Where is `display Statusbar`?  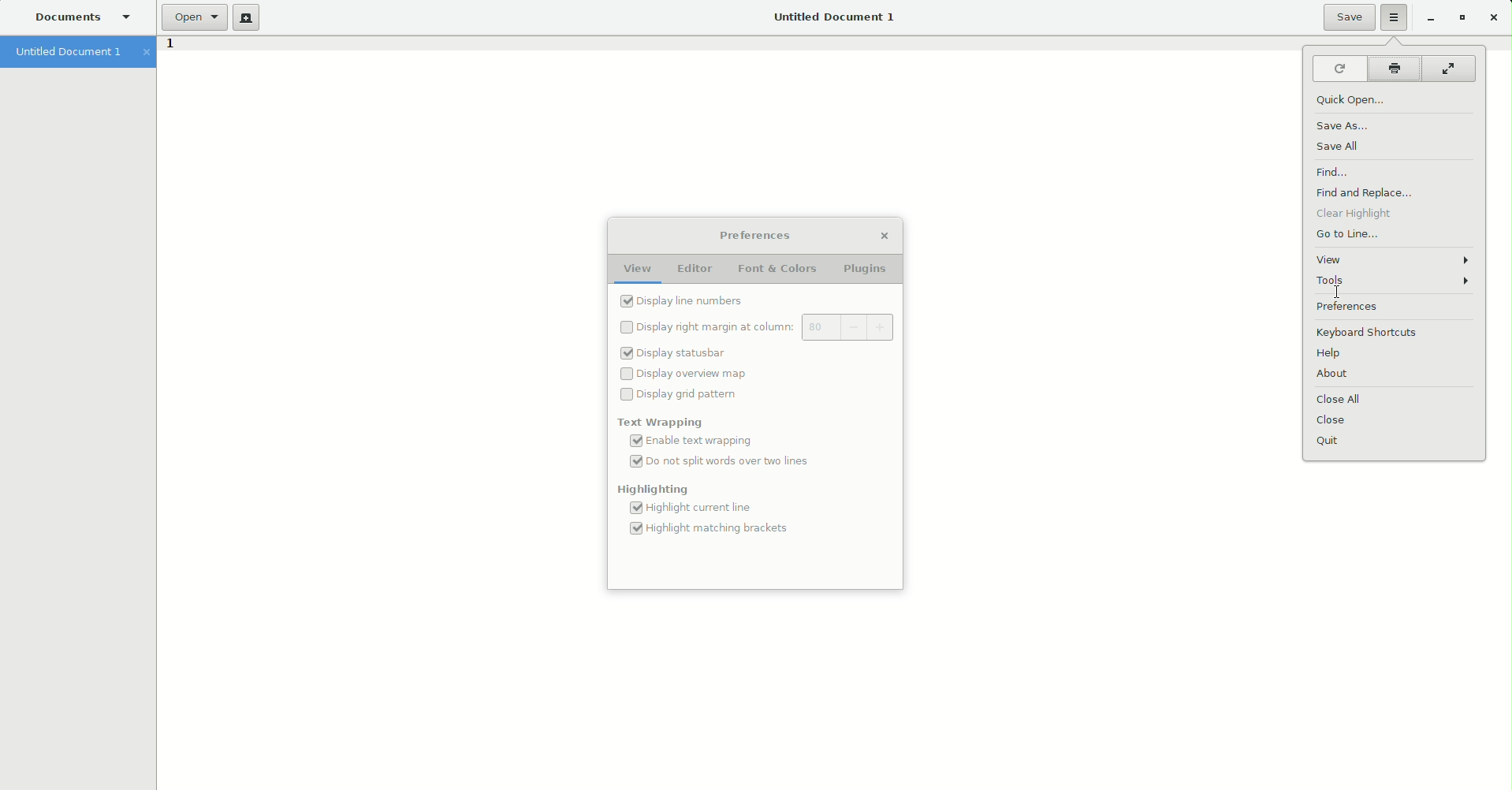 display Statusbar is located at coordinates (673, 354).